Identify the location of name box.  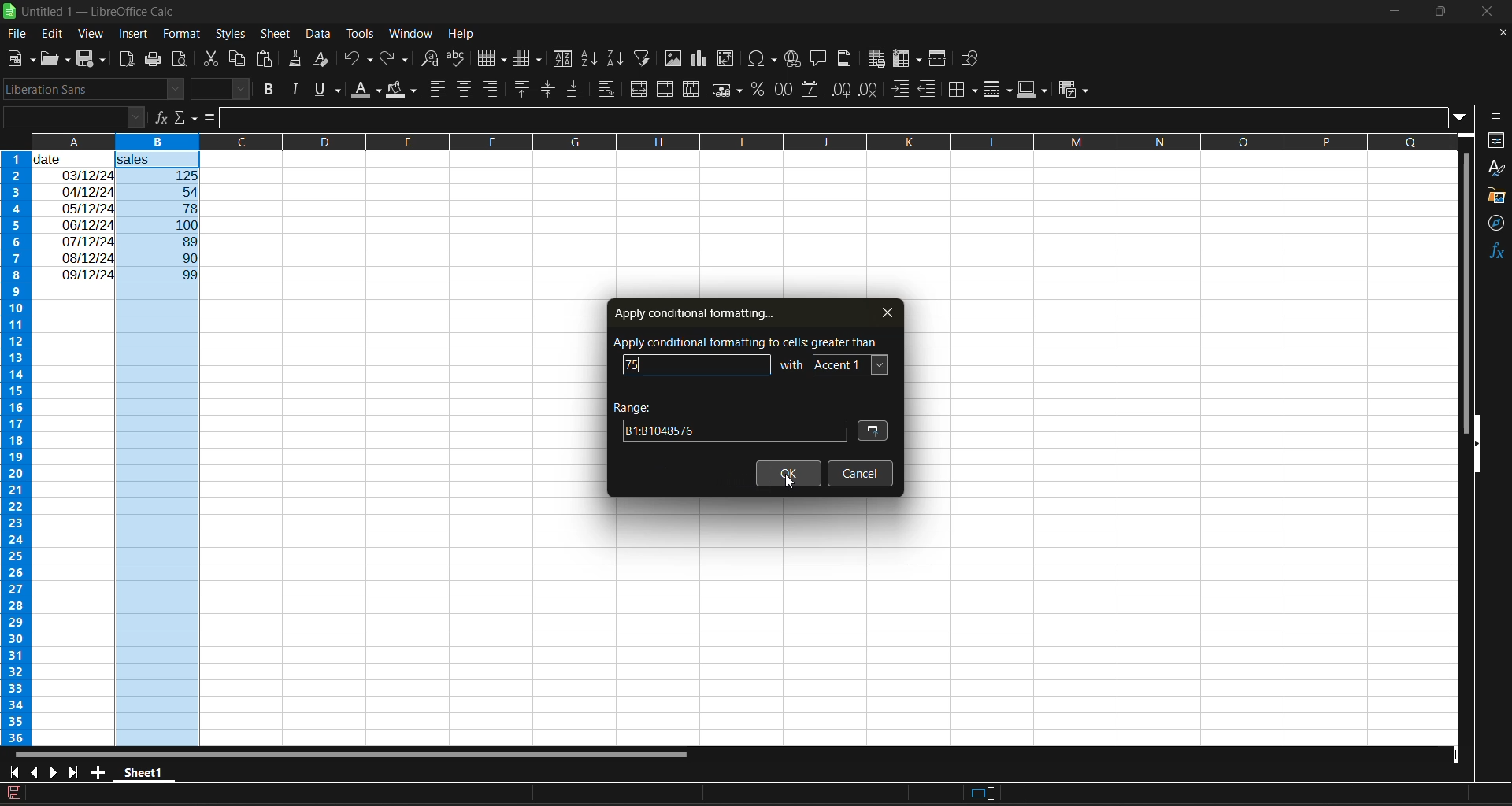
(71, 116).